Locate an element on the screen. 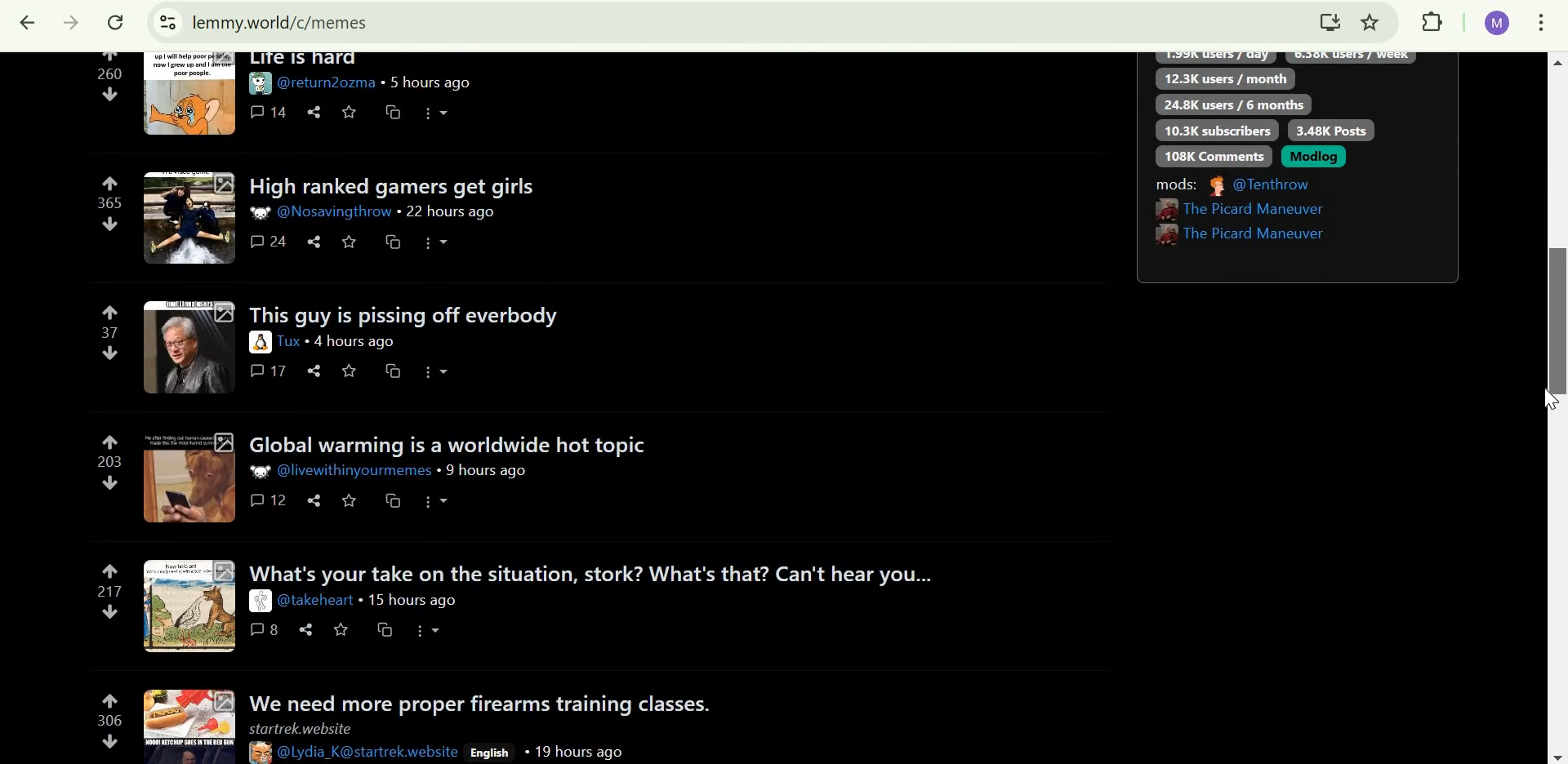 The width and height of the screenshot is (1568, 764). more is located at coordinates (436, 372).